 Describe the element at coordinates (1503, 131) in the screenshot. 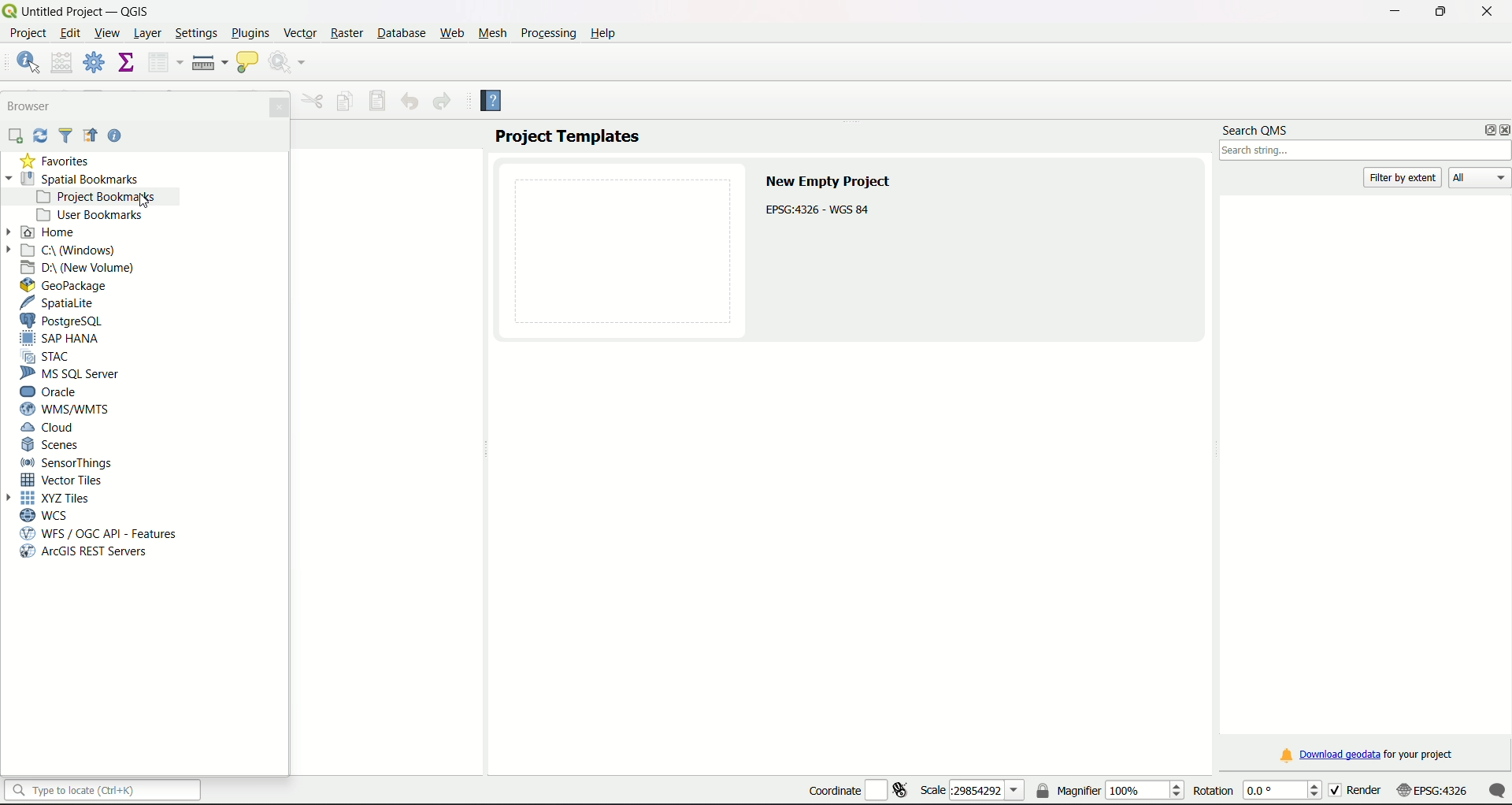

I see `close` at that location.